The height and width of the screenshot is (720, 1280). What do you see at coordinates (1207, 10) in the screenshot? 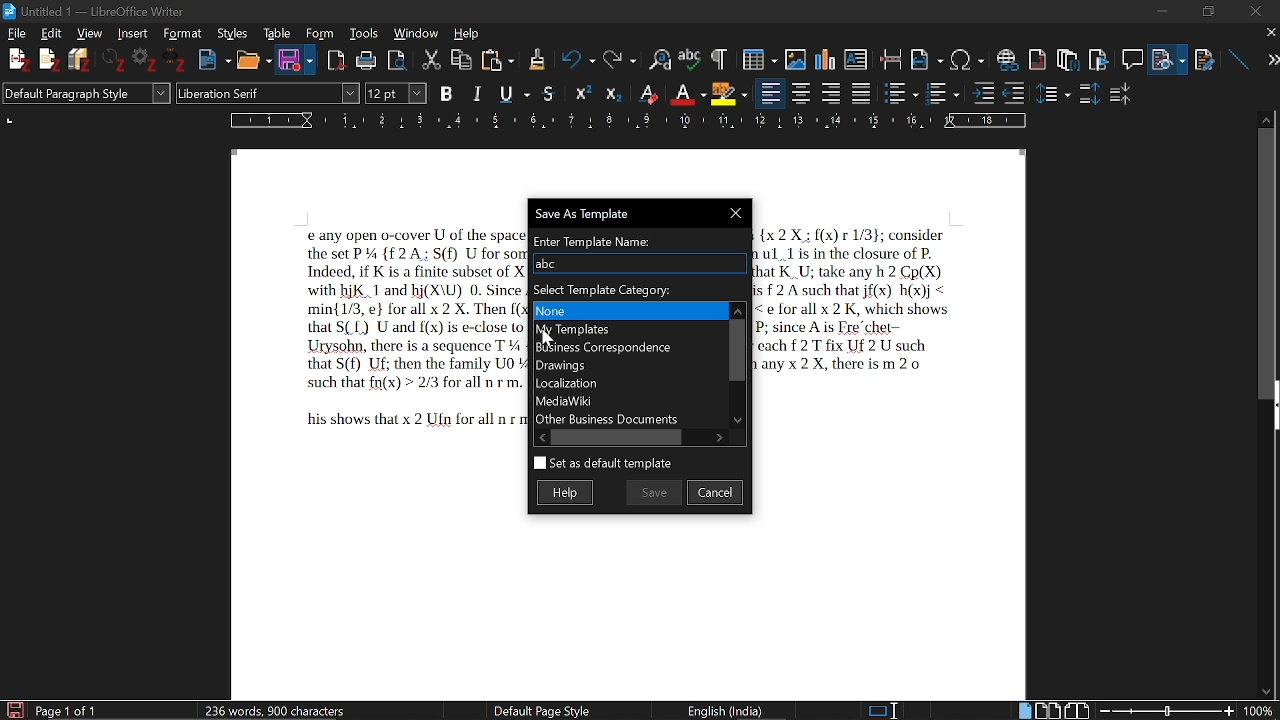
I see `maximize` at bounding box center [1207, 10].